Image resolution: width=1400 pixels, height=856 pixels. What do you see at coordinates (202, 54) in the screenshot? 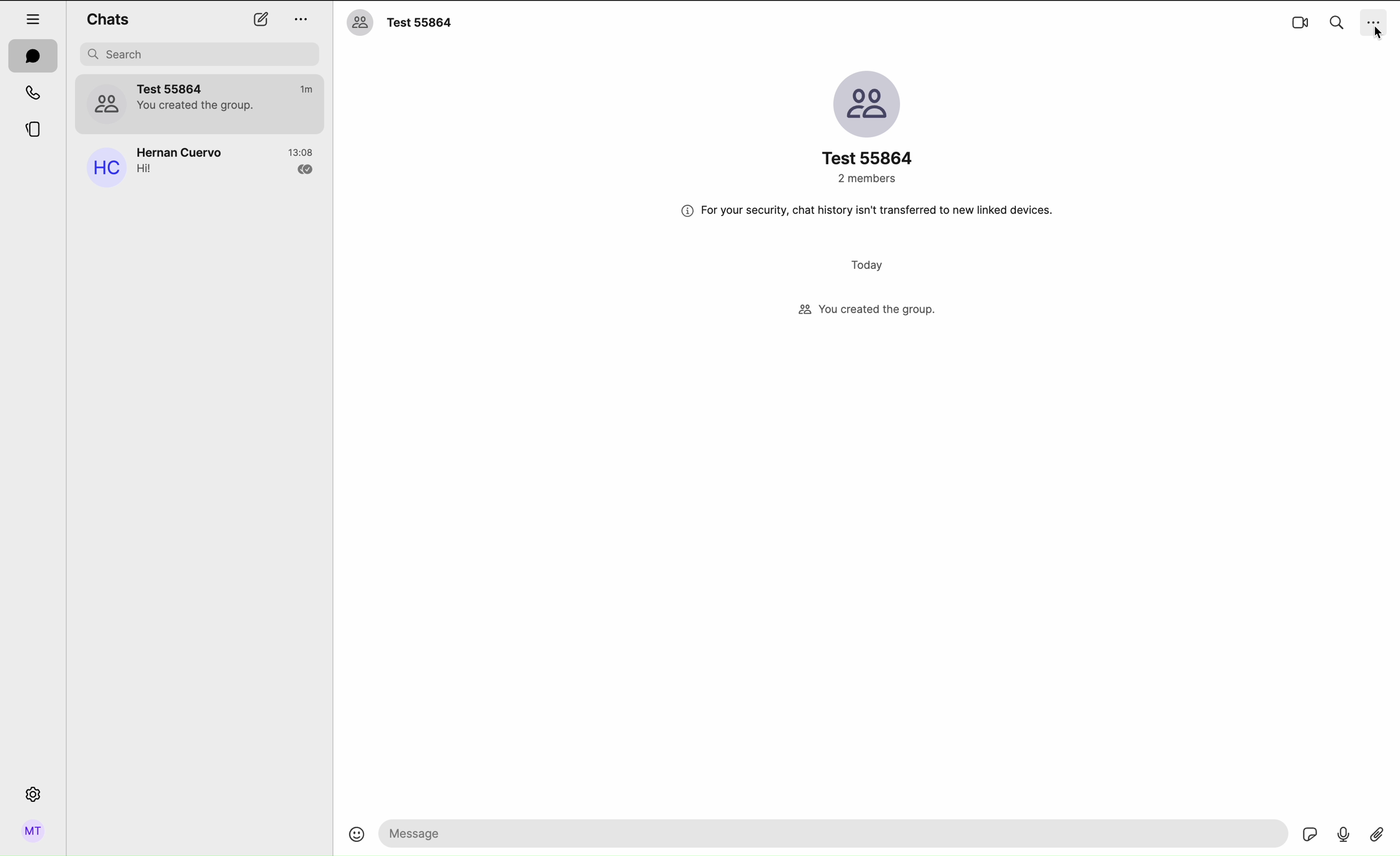
I see `search bar` at bounding box center [202, 54].